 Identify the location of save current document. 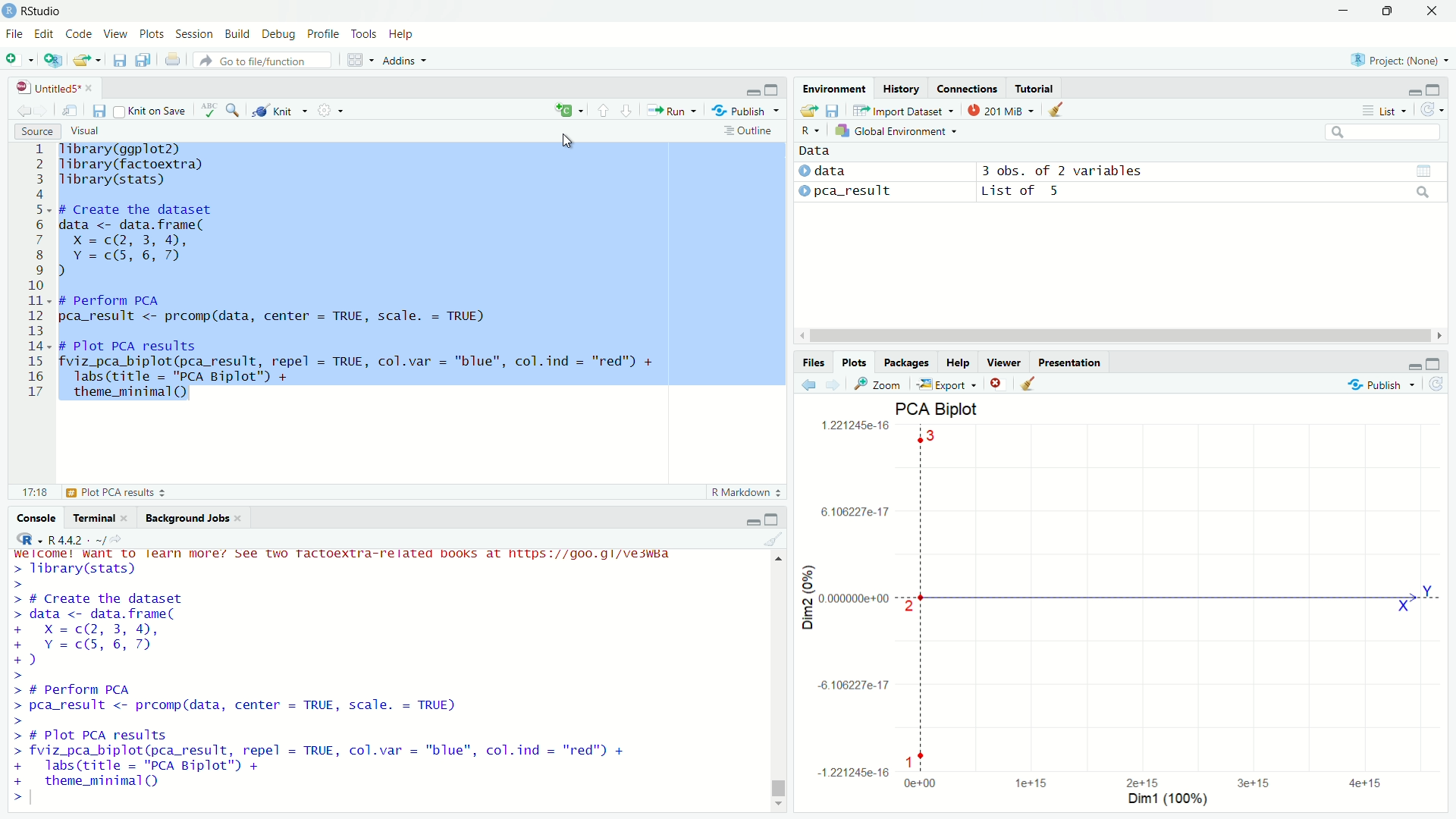
(100, 111).